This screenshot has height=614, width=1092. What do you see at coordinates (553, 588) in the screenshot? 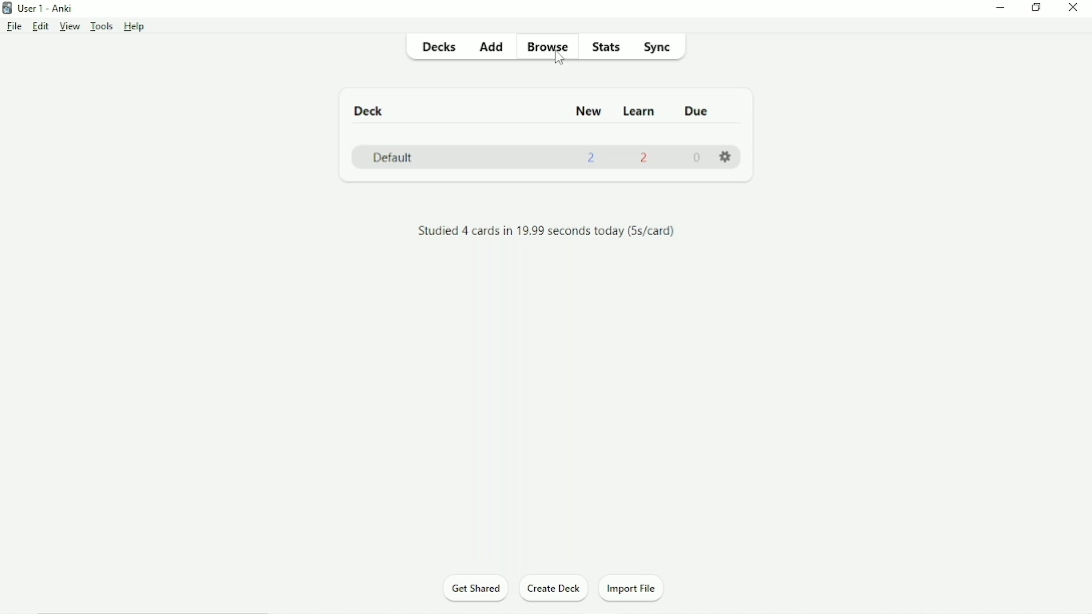
I see `Create Deck` at bounding box center [553, 588].